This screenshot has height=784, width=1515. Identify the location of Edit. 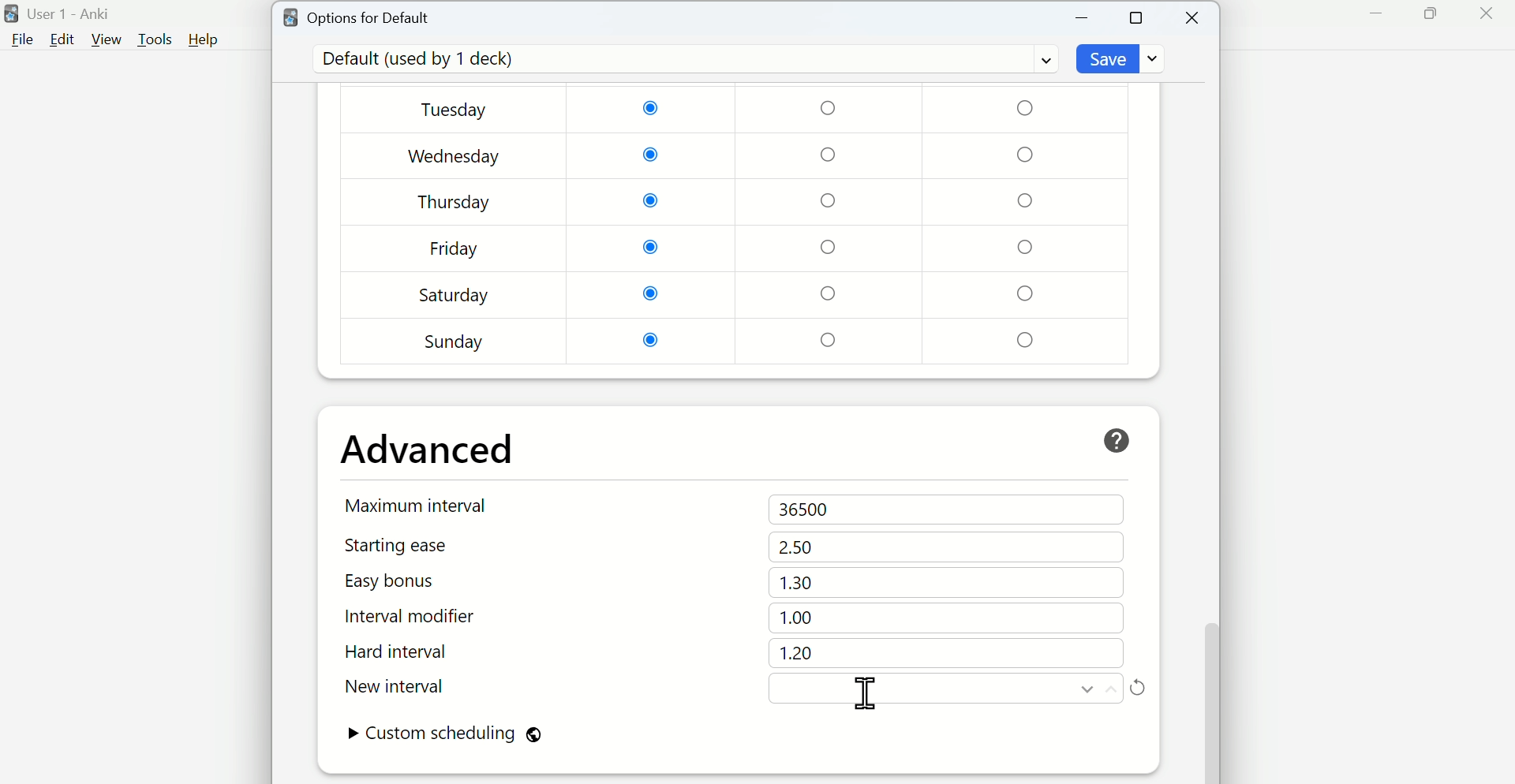
(62, 39).